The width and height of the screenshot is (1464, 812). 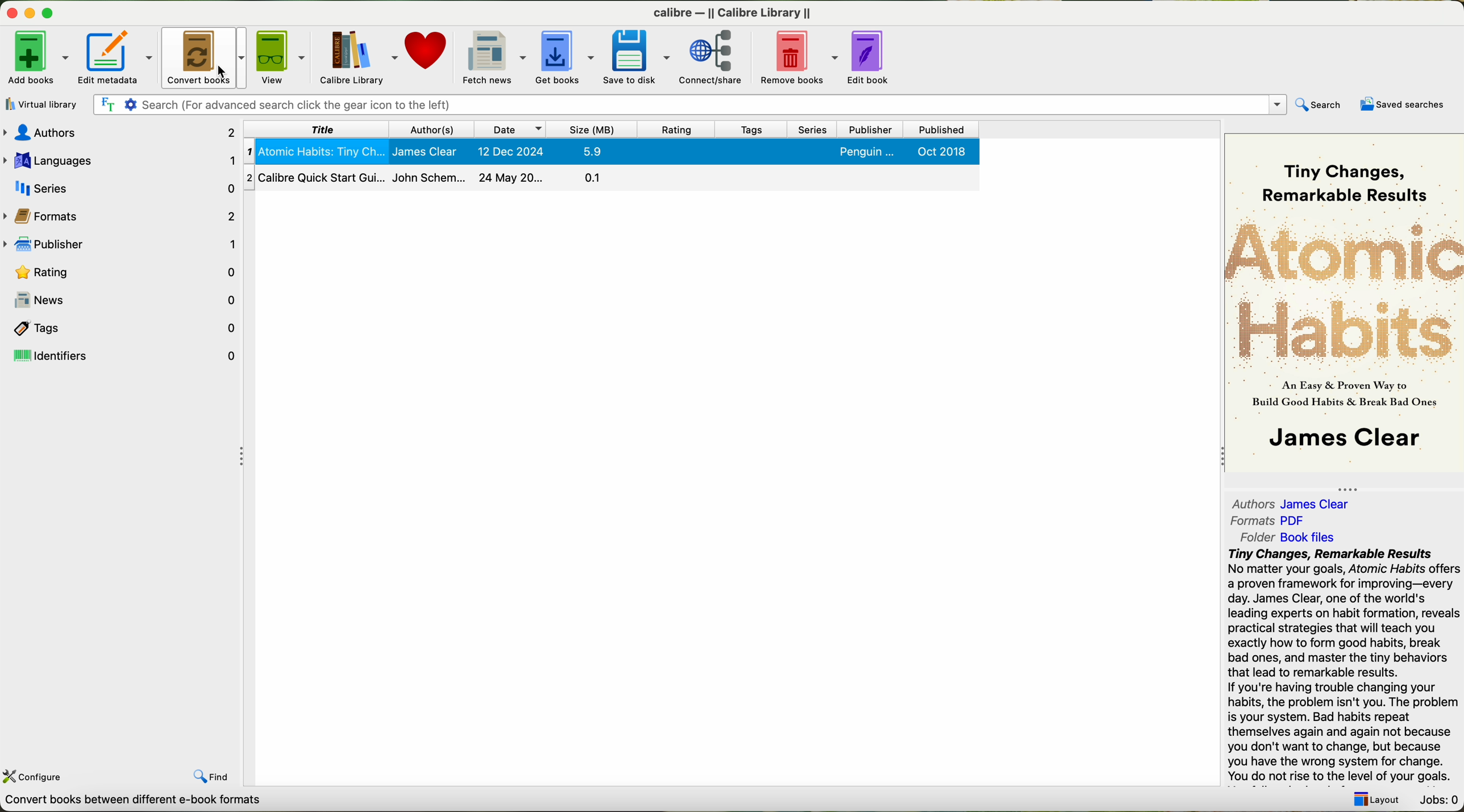 What do you see at coordinates (873, 57) in the screenshot?
I see `edit book` at bounding box center [873, 57].